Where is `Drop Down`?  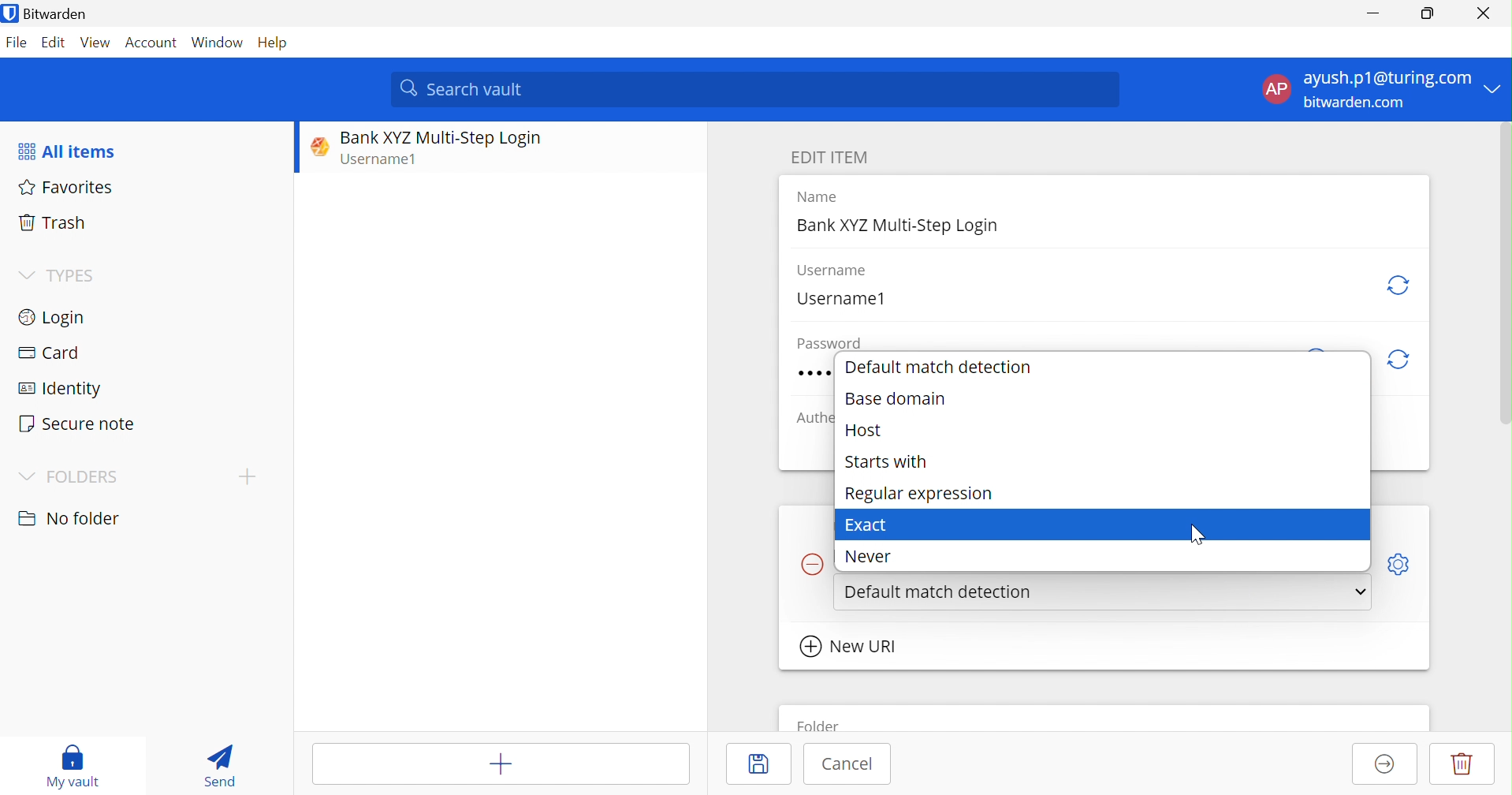
Drop Down is located at coordinates (26, 476).